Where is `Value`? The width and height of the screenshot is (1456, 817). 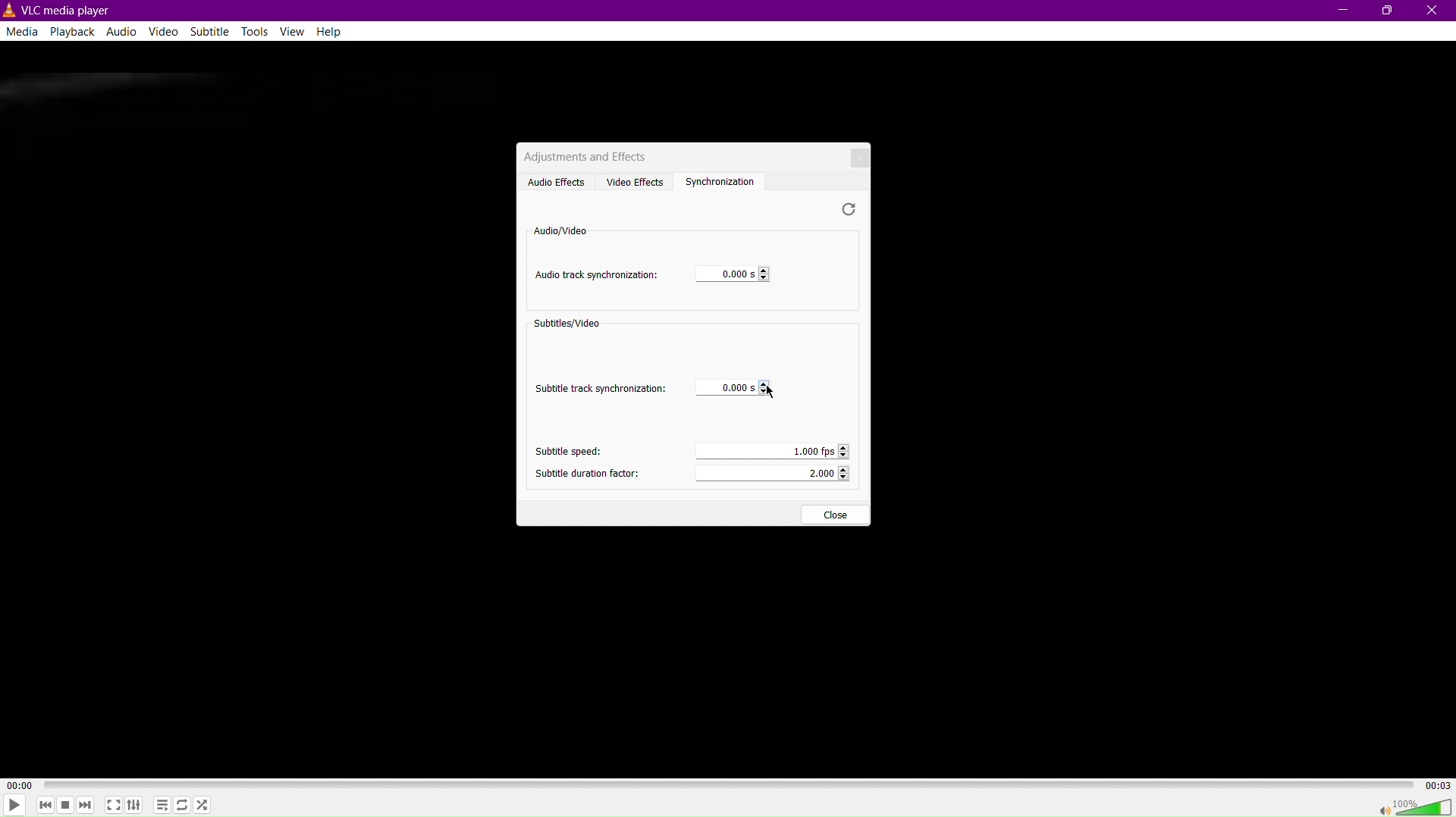
Value is located at coordinates (733, 388).